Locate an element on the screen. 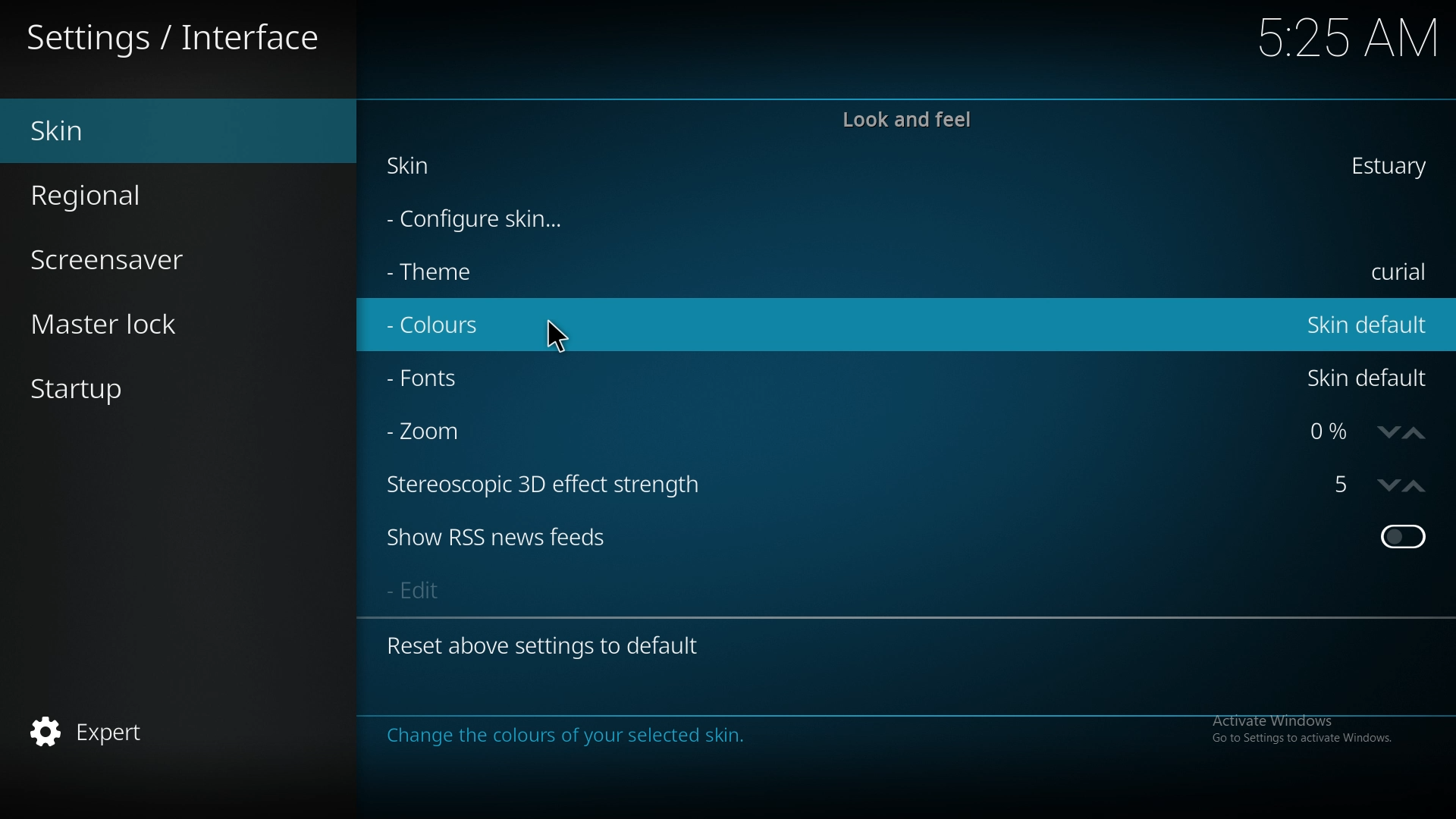 The height and width of the screenshot is (819, 1456). strereoscopic 3d effect strength is located at coordinates (1336, 488).